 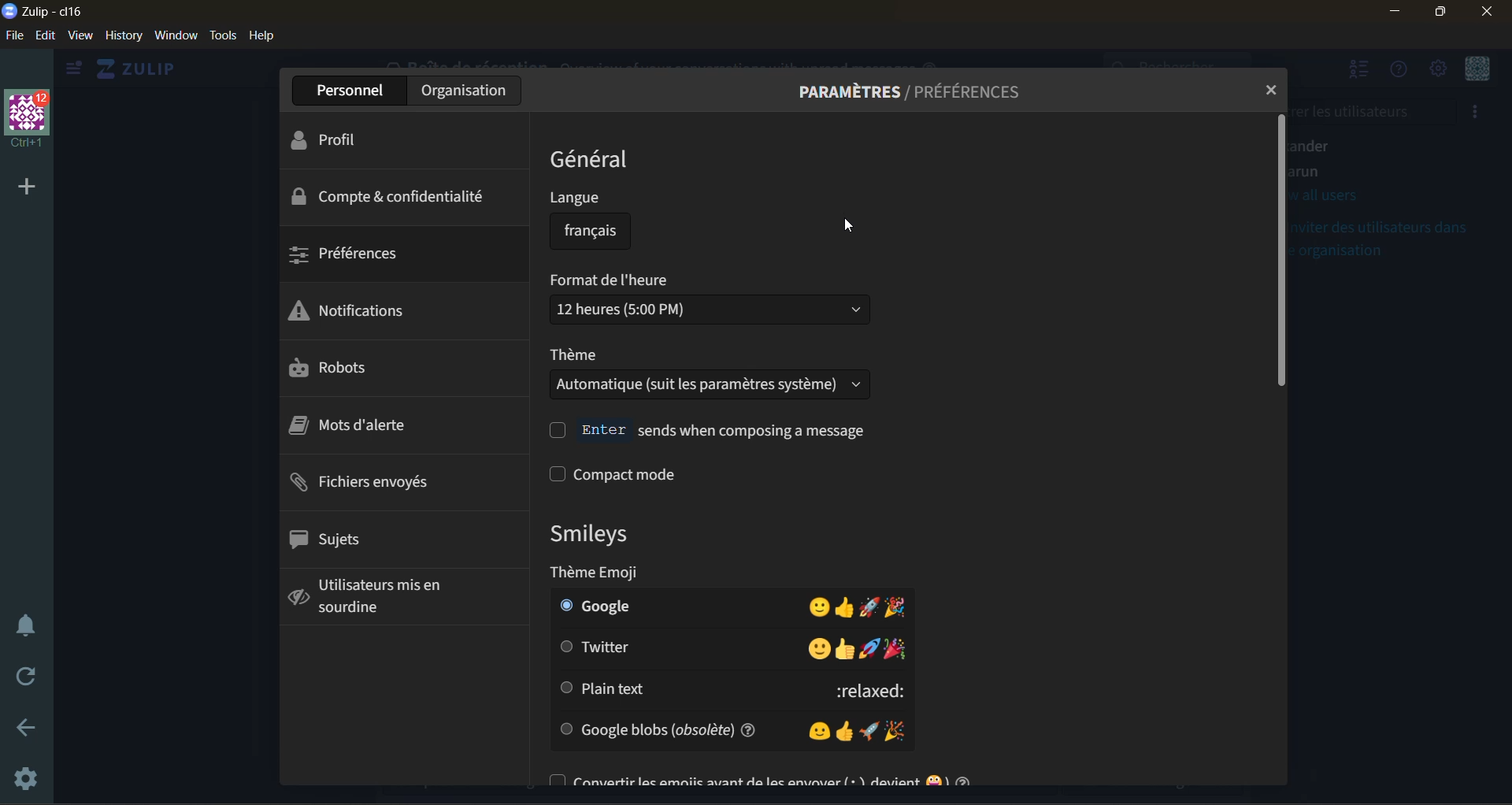 What do you see at coordinates (145, 69) in the screenshot?
I see `home` at bounding box center [145, 69].